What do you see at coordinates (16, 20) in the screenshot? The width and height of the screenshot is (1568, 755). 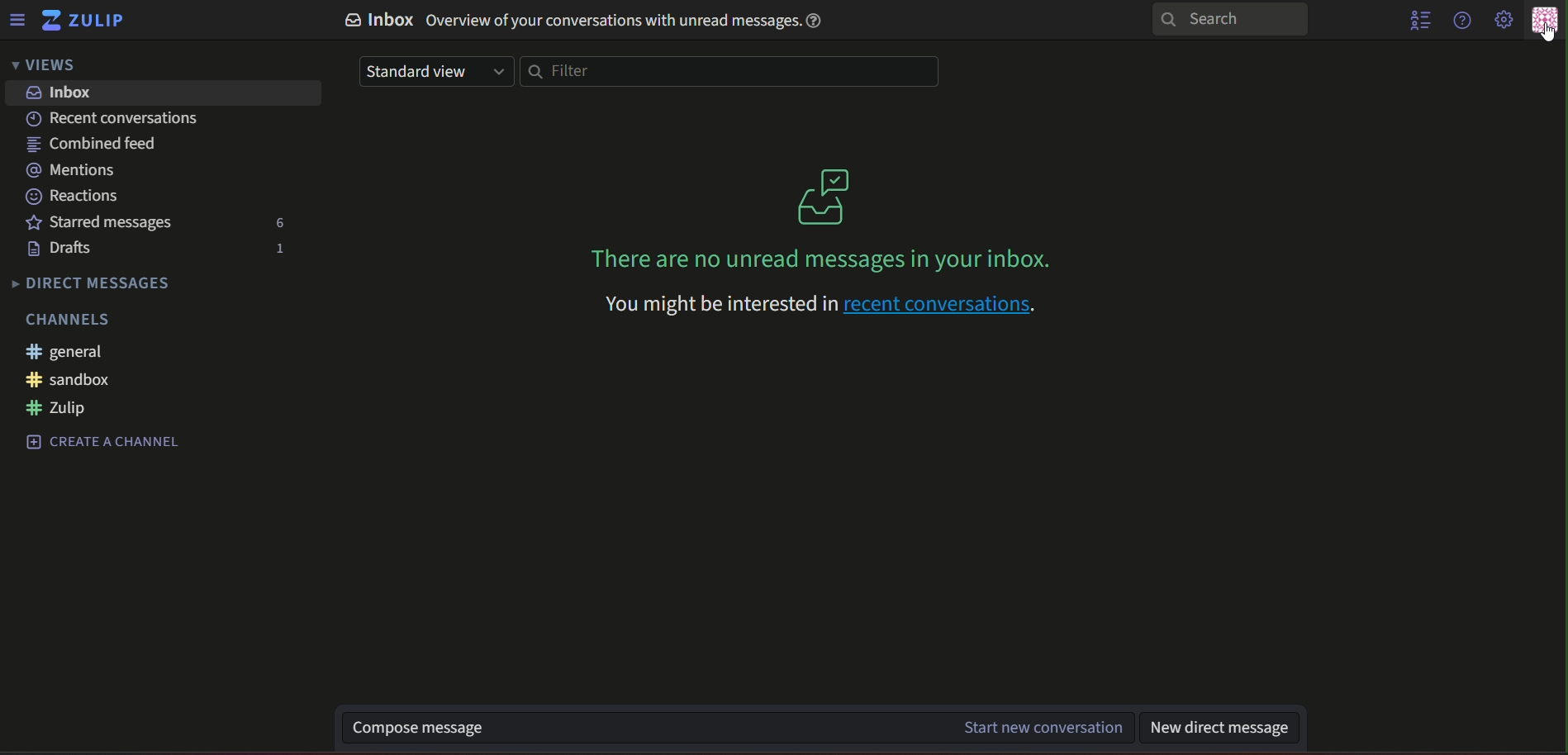 I see `menu` at bounding box center [16, 20].